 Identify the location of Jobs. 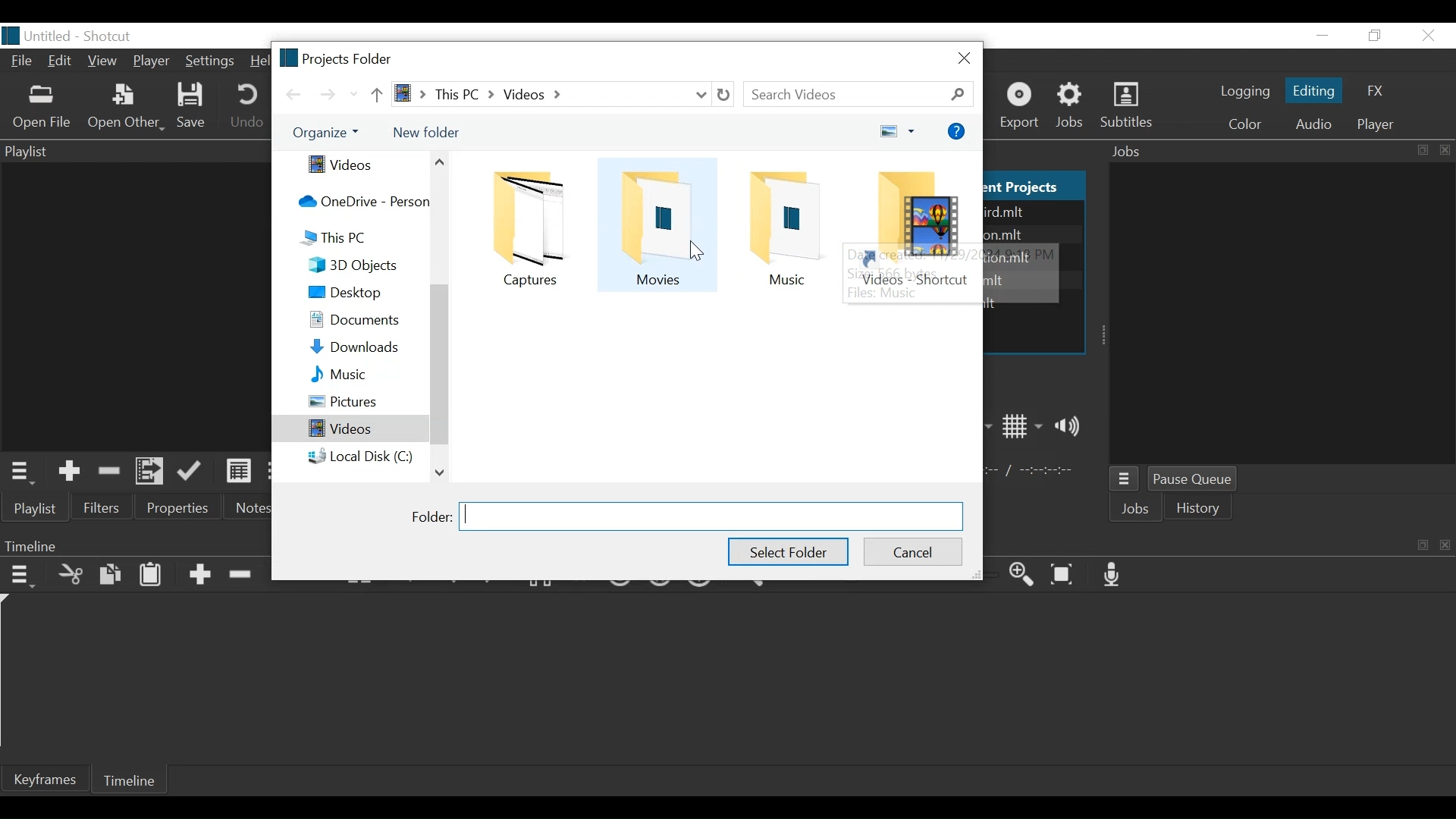
(1075, 105).